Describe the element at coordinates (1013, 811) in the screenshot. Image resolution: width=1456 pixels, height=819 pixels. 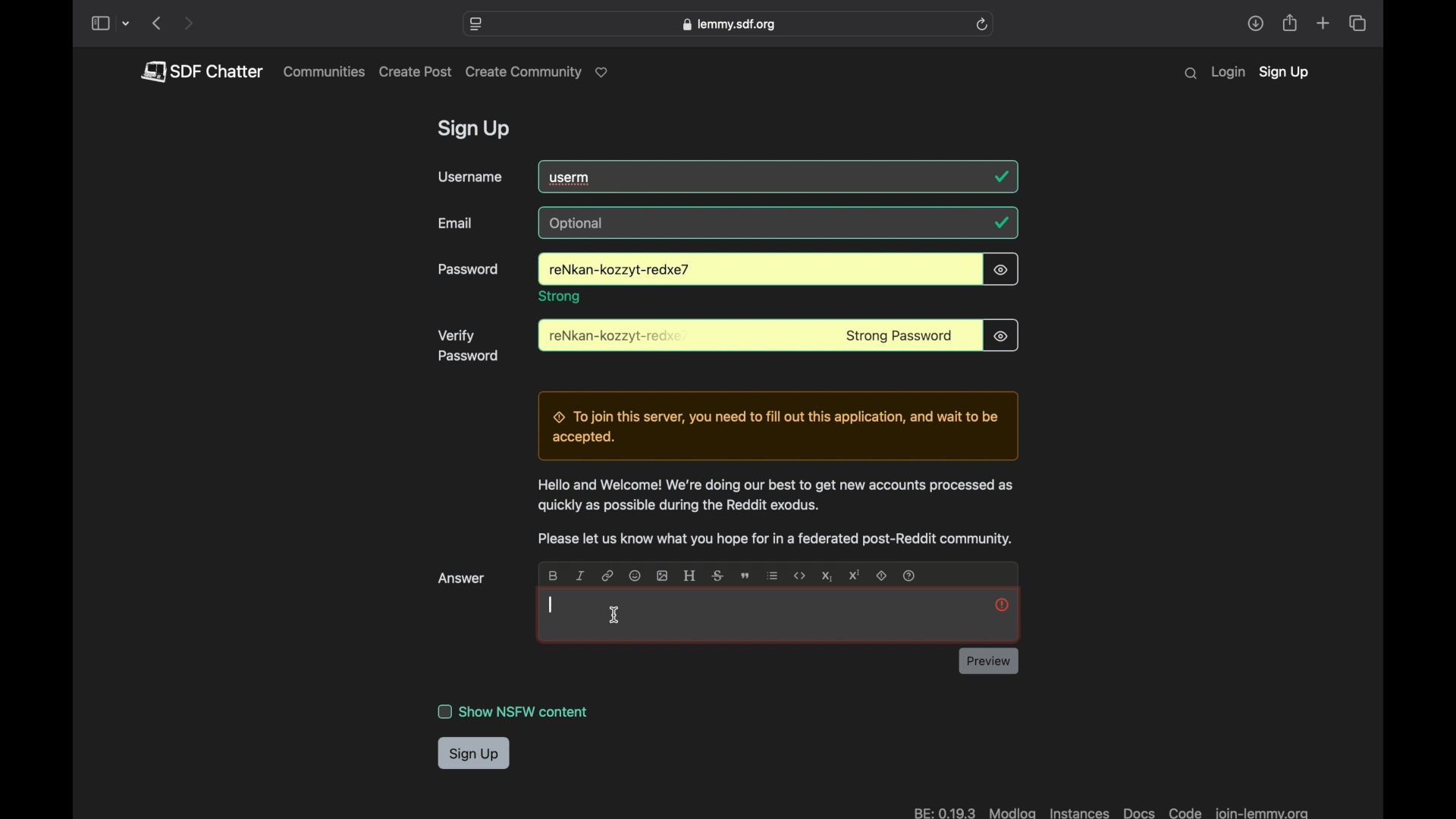
I see `modlog` at that location.